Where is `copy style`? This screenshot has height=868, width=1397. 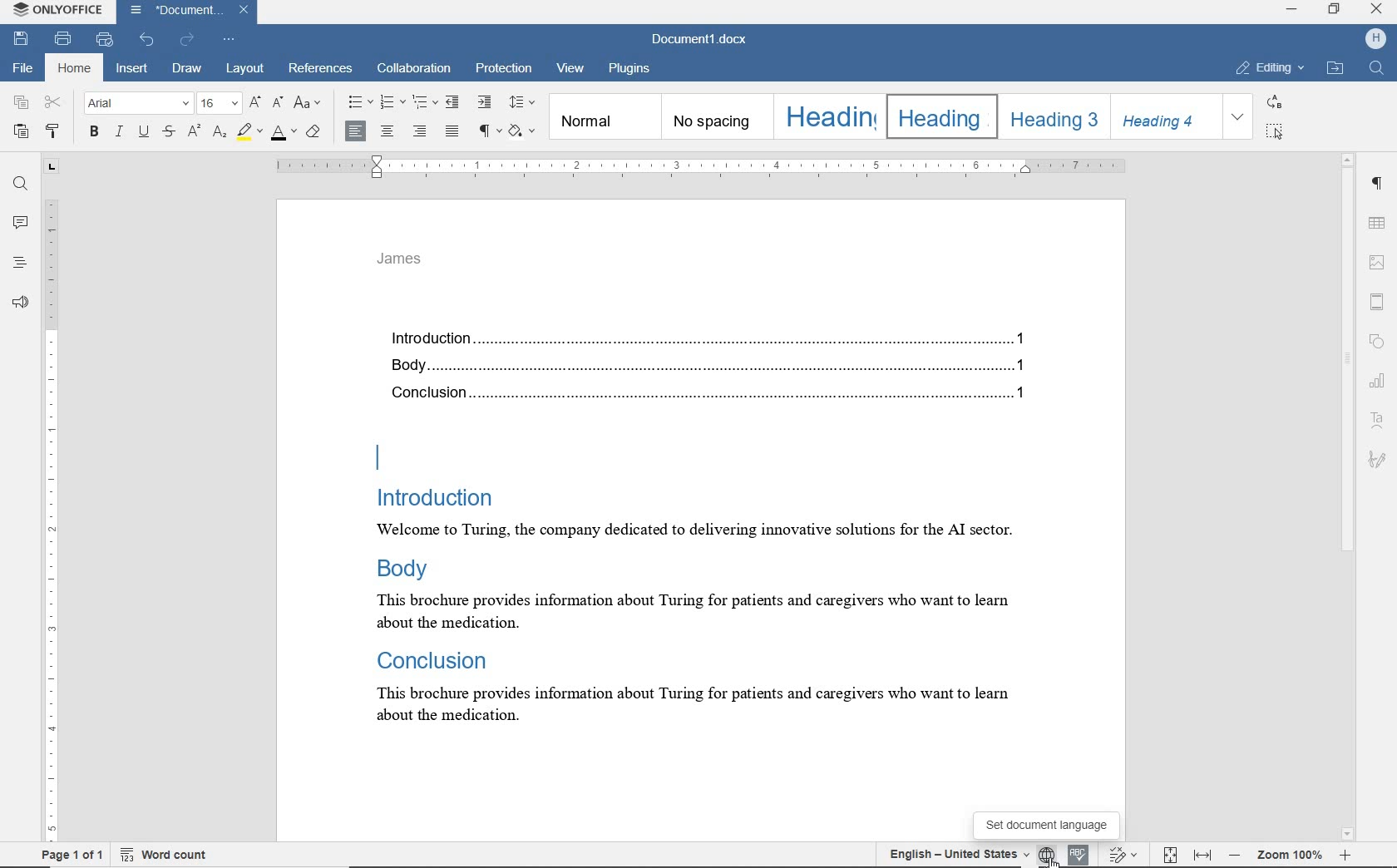 copy style is located at coordinates (57, 133).